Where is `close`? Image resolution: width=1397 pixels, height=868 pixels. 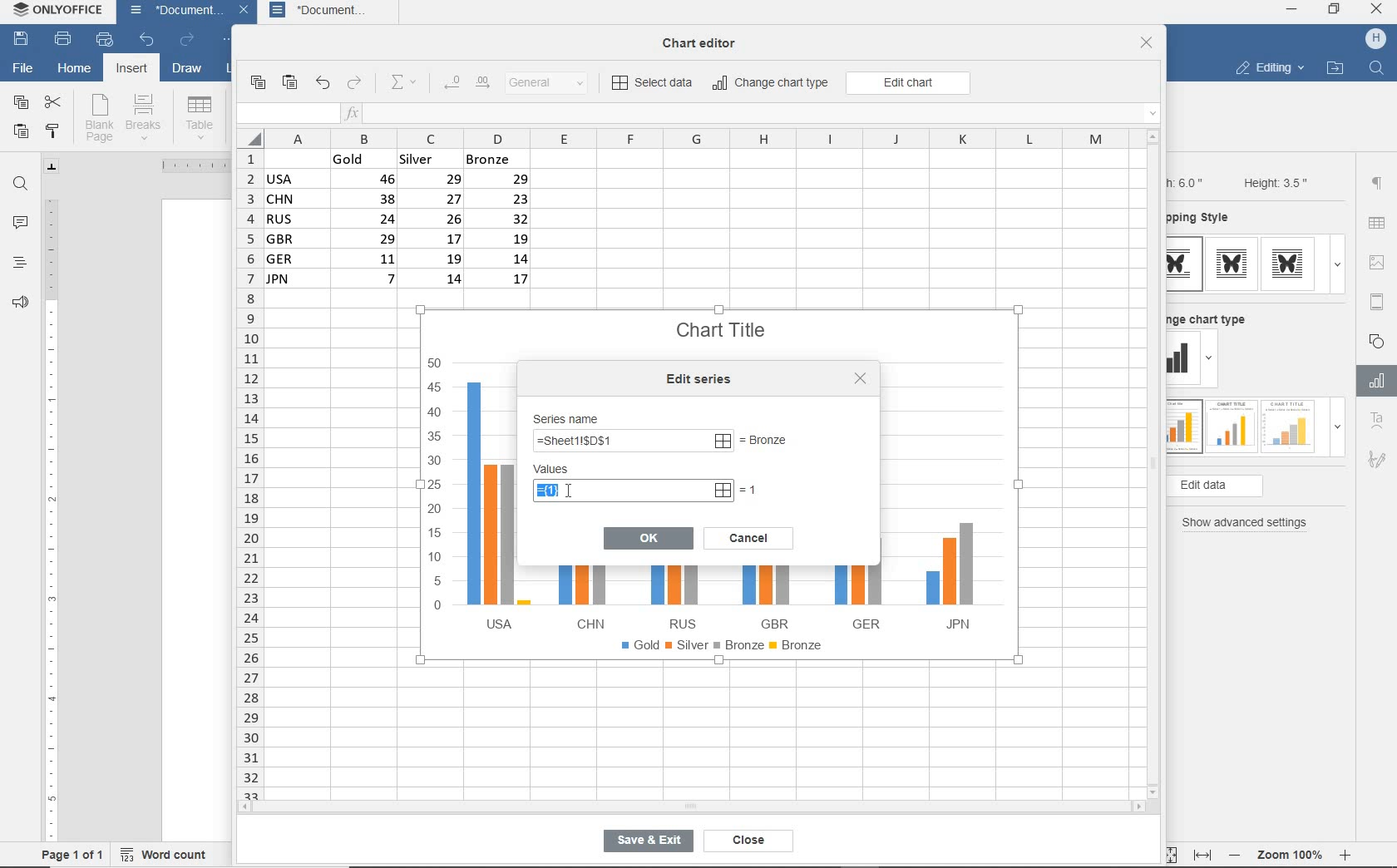
close is located at coordinates (1378, 11).